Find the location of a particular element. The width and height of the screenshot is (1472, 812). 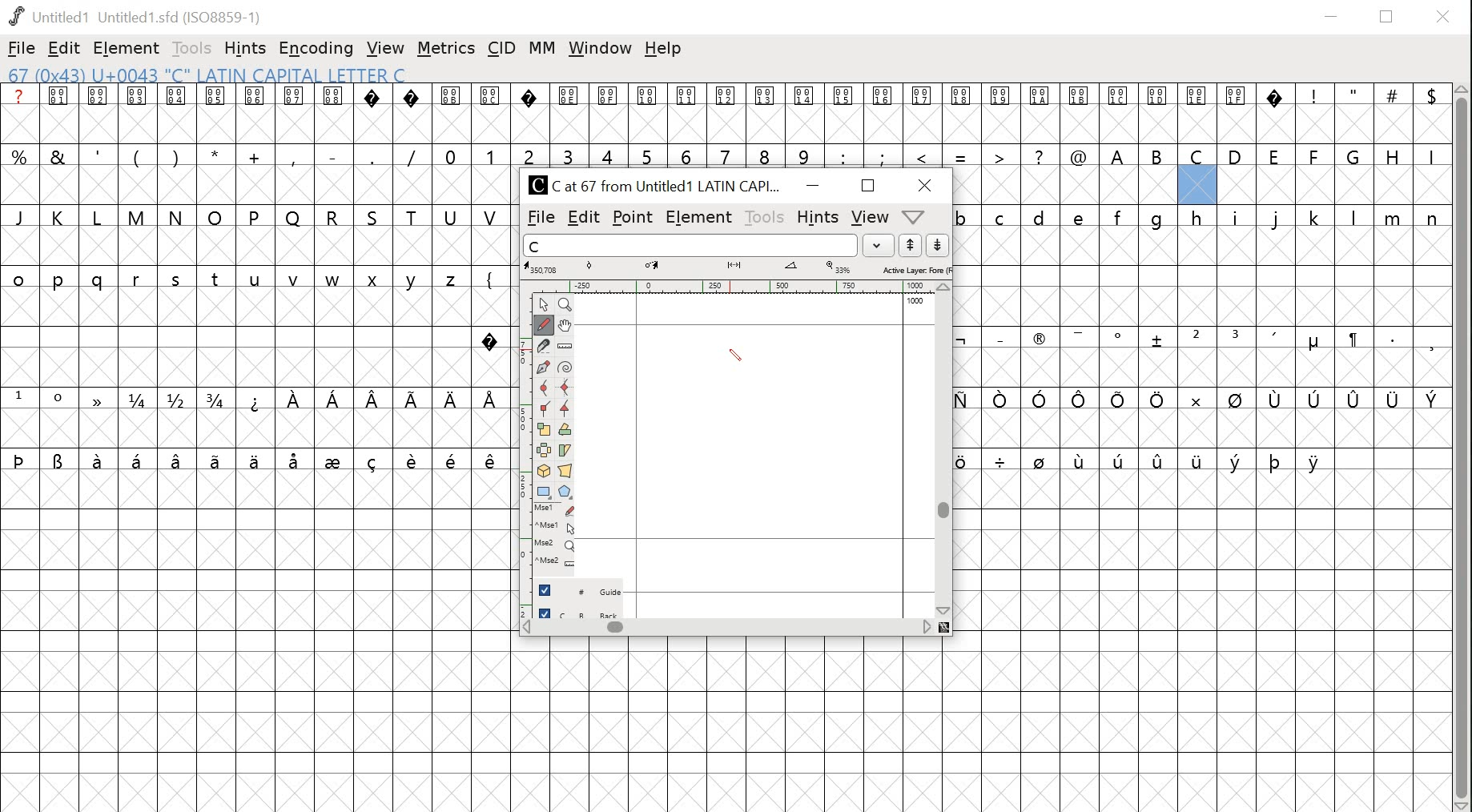

curve is located at coordinates (547, 388).